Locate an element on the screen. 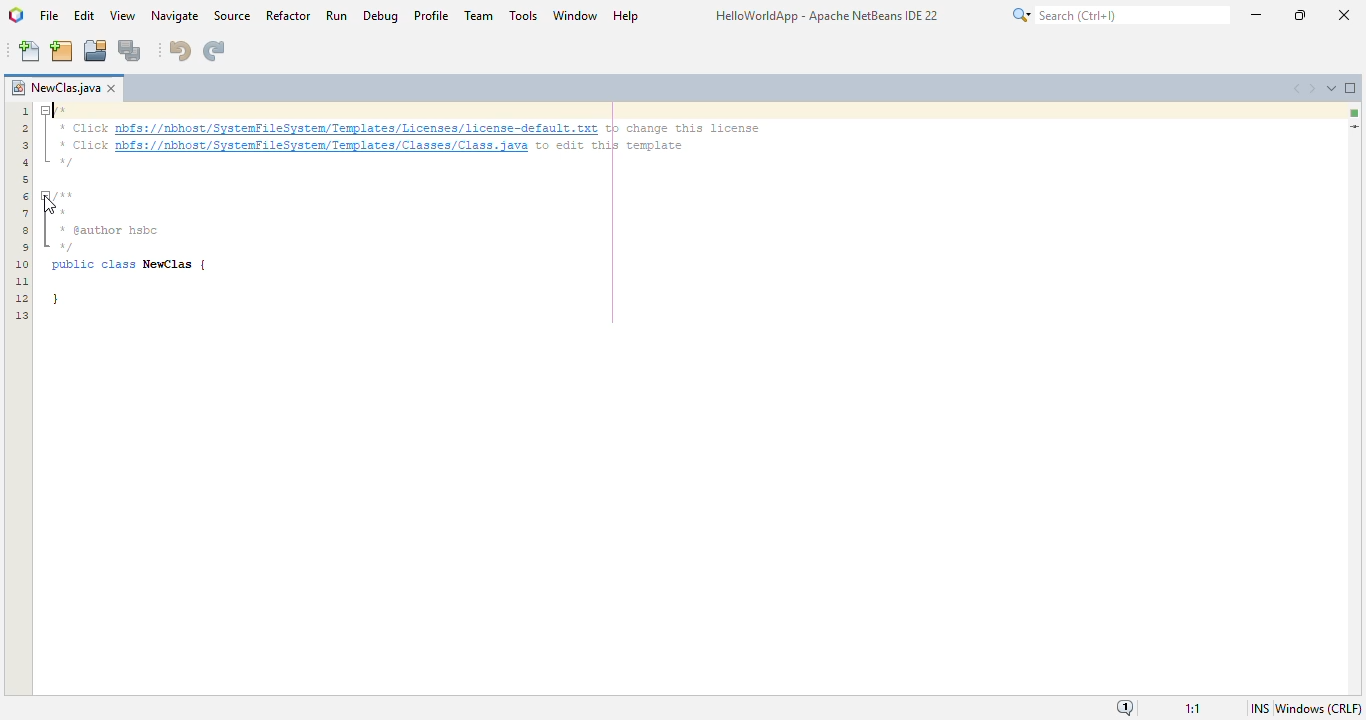  maximize window is located at coordinates (1351, 88).